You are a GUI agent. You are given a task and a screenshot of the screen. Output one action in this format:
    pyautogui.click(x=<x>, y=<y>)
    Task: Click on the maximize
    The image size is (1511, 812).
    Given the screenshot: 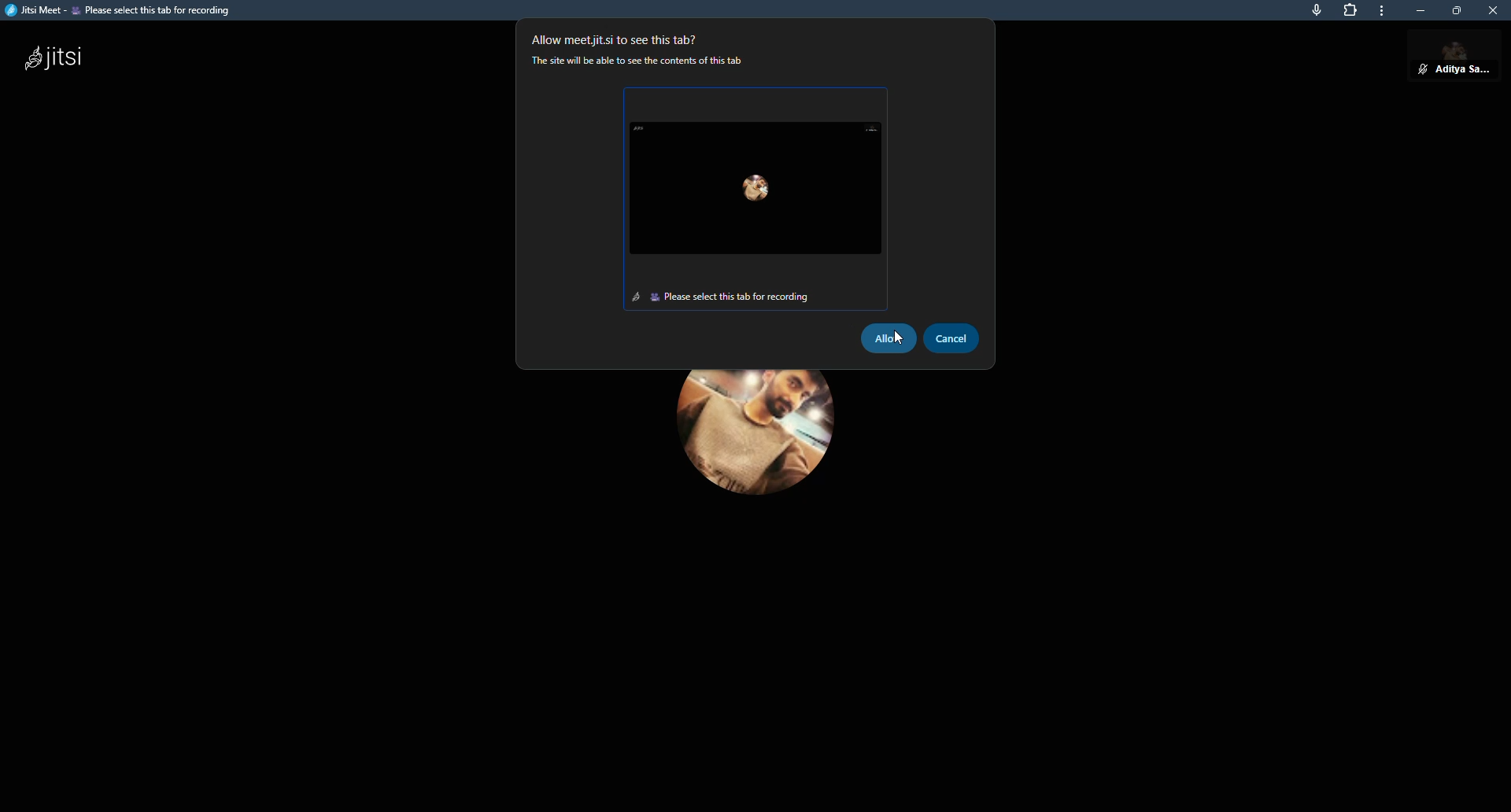 What is the action you would take?
    pyautogui.click(x=1457, y=10)
    